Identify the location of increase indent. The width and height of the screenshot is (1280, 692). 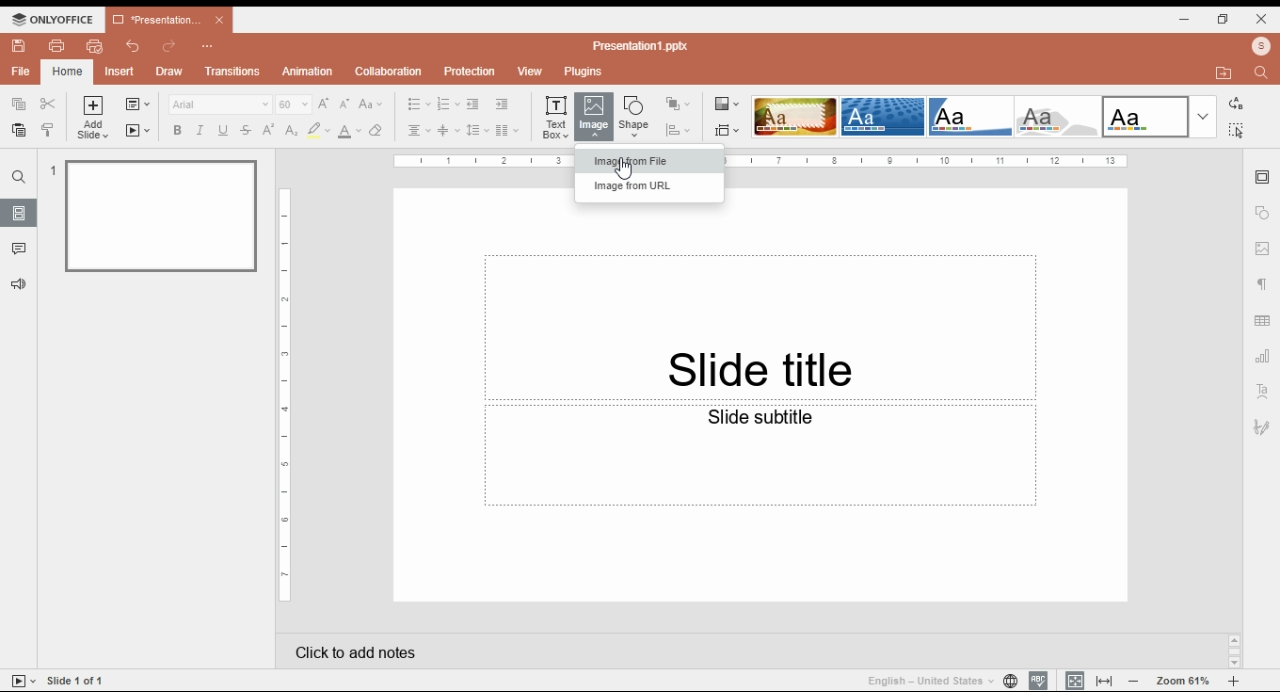
(472, 105).